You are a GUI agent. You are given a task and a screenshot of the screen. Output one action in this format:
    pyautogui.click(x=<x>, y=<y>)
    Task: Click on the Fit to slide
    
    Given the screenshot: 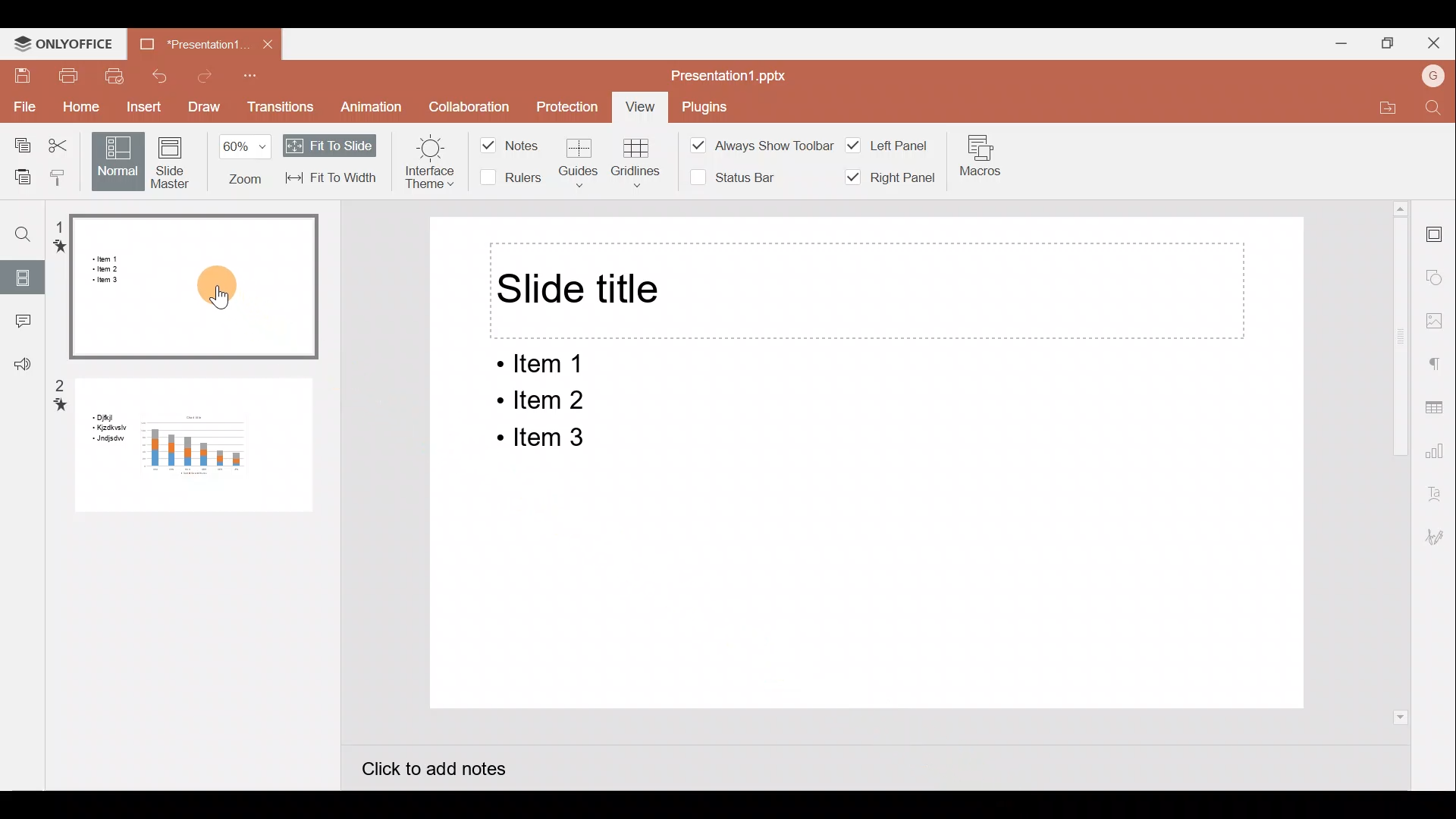 What is the action you would take?
    pyautogui.click(x=327, y=145)
    